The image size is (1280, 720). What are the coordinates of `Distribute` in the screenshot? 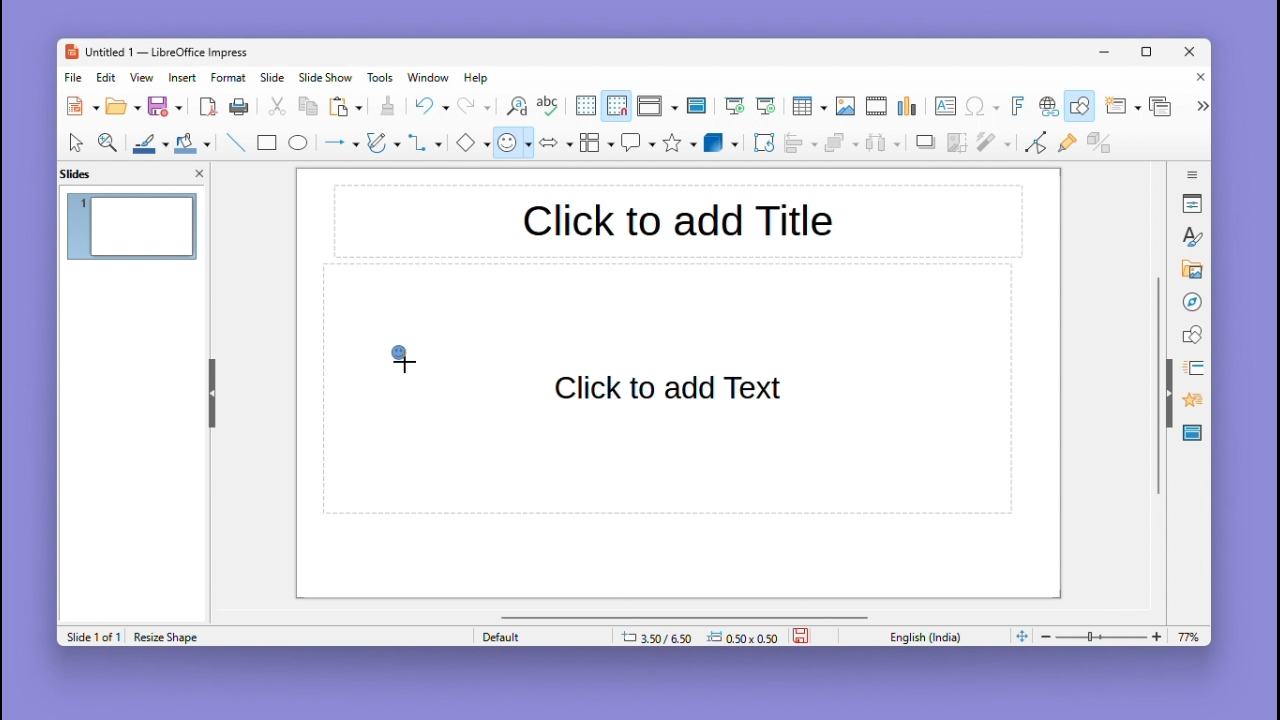 It's located at (886, 145).